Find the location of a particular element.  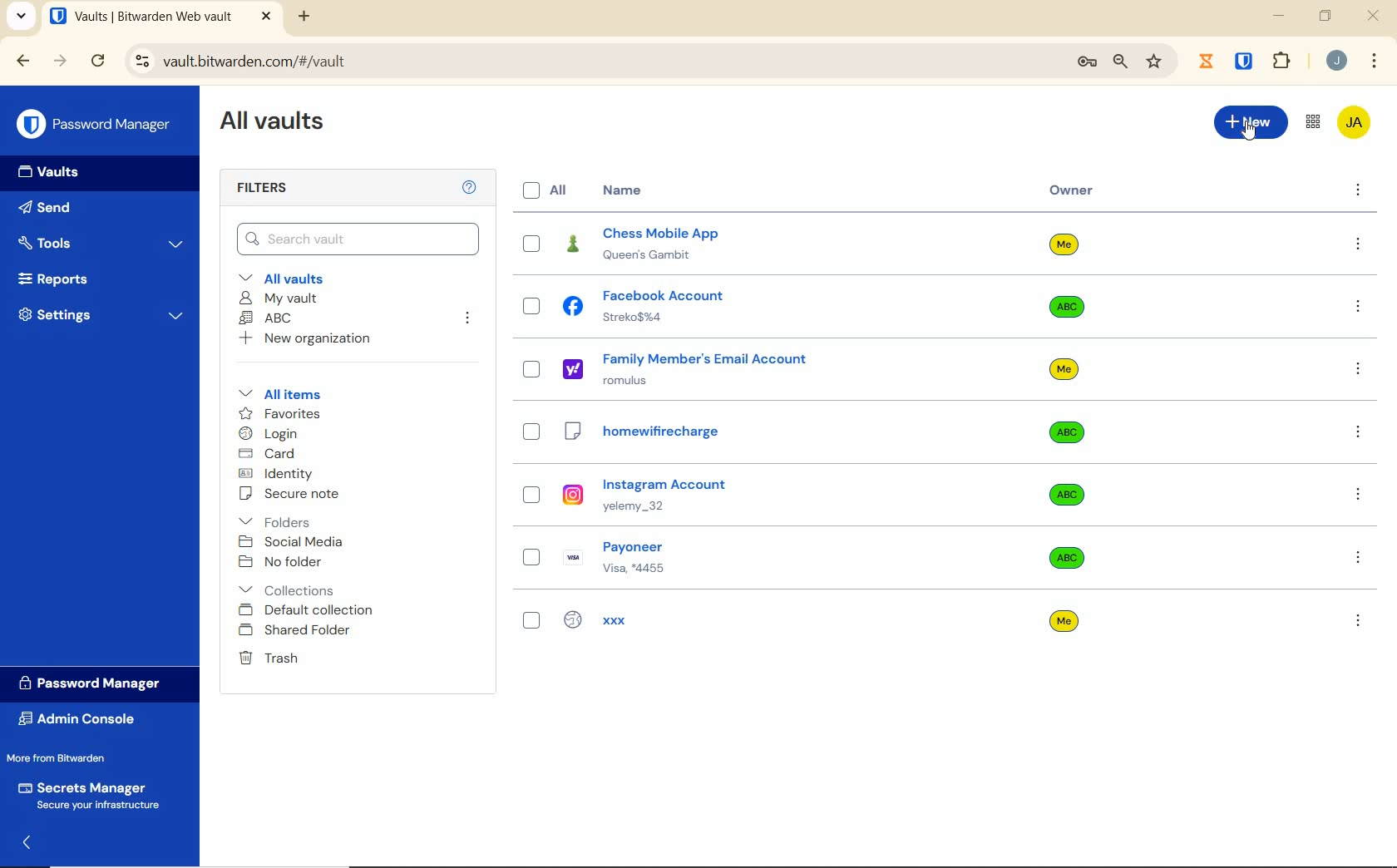

Reports is located at coordinates (95, 280).